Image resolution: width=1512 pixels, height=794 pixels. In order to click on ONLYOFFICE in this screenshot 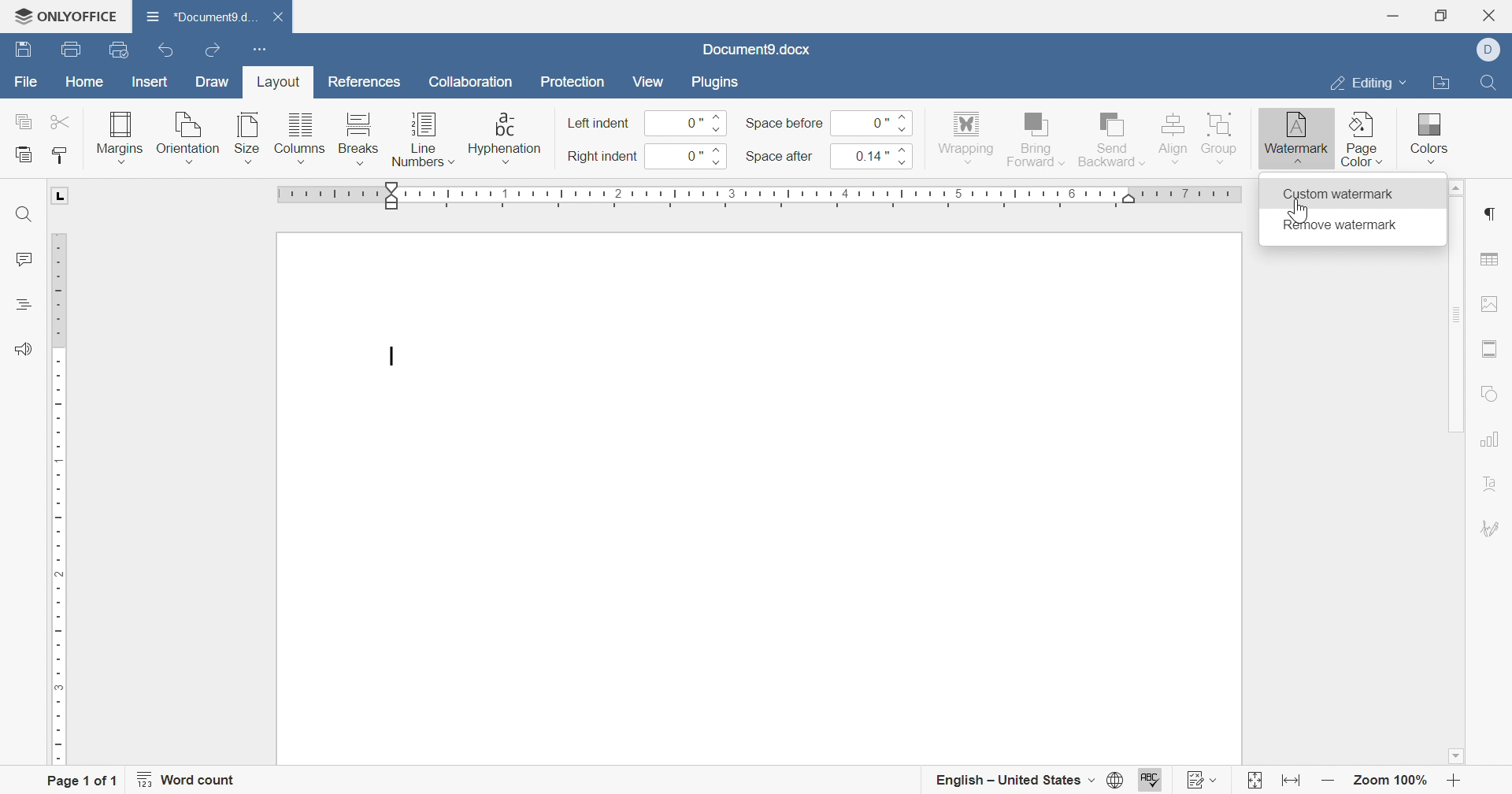, I will do `click(65, 13)`.